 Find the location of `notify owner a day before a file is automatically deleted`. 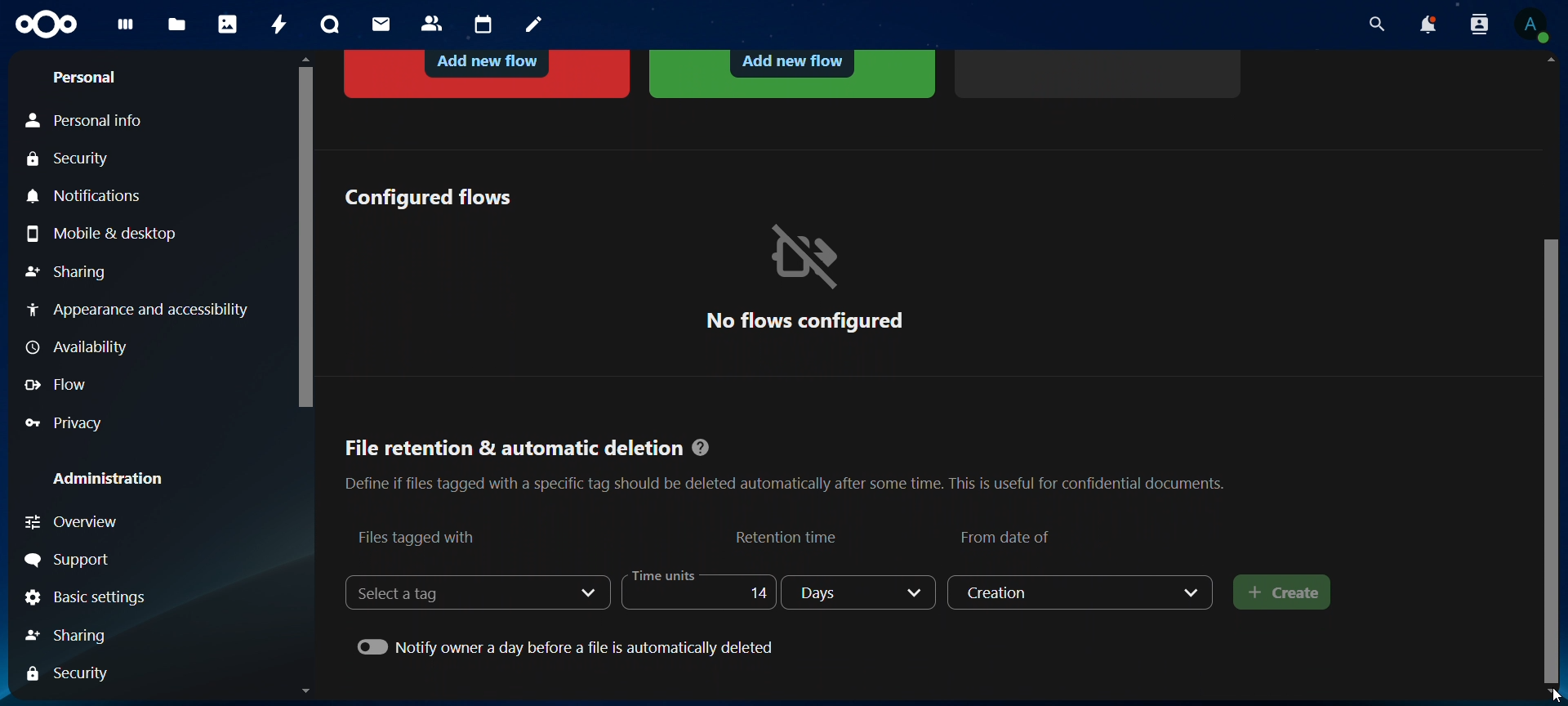

notify owner a day before a file is automatically deleted is located at coordinates (569, 646).